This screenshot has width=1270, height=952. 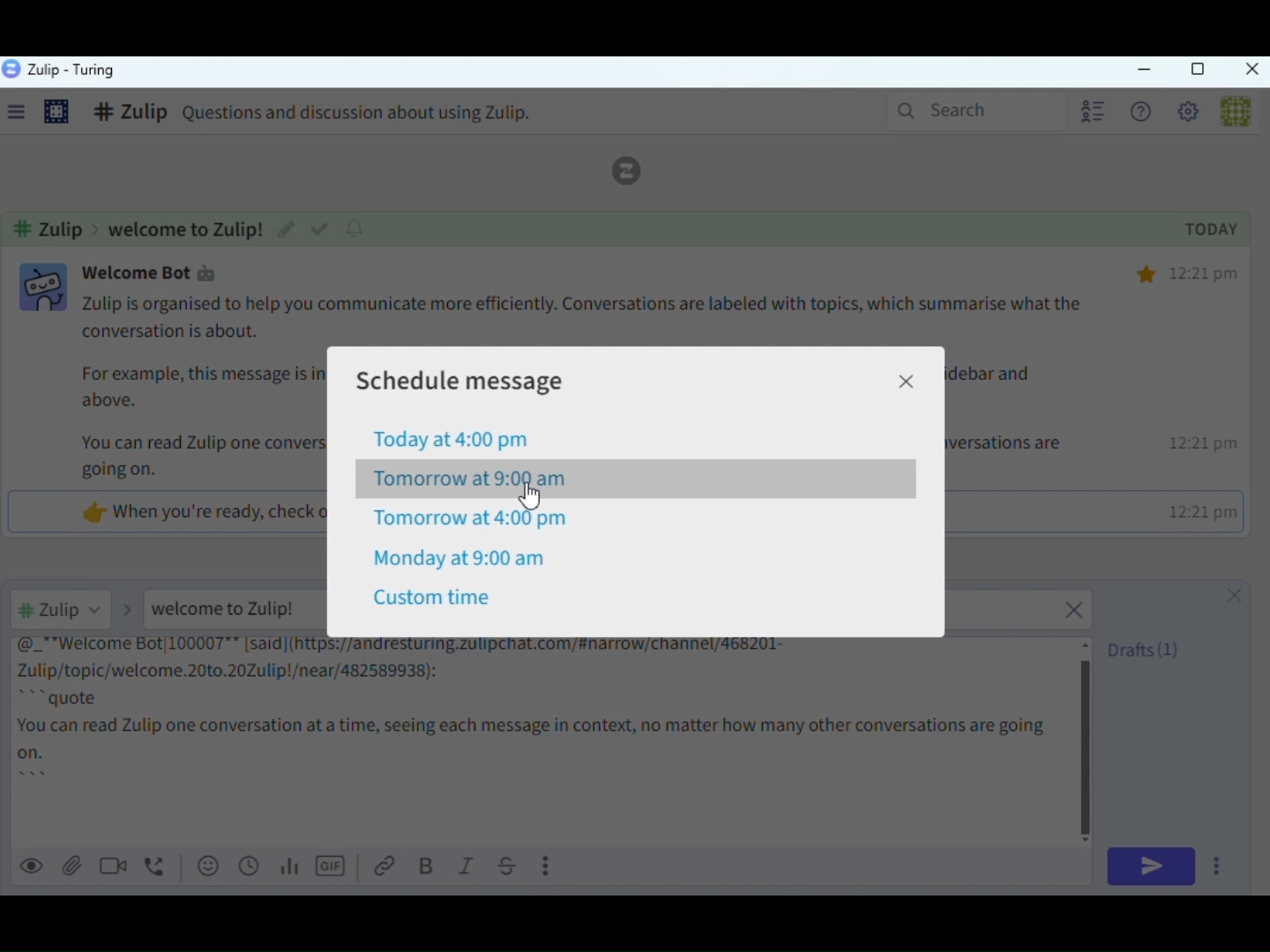 What do you see at coordinates (1145, 71) in the screenshot?
I see `Minimize` at bounding box center [1145, 71].